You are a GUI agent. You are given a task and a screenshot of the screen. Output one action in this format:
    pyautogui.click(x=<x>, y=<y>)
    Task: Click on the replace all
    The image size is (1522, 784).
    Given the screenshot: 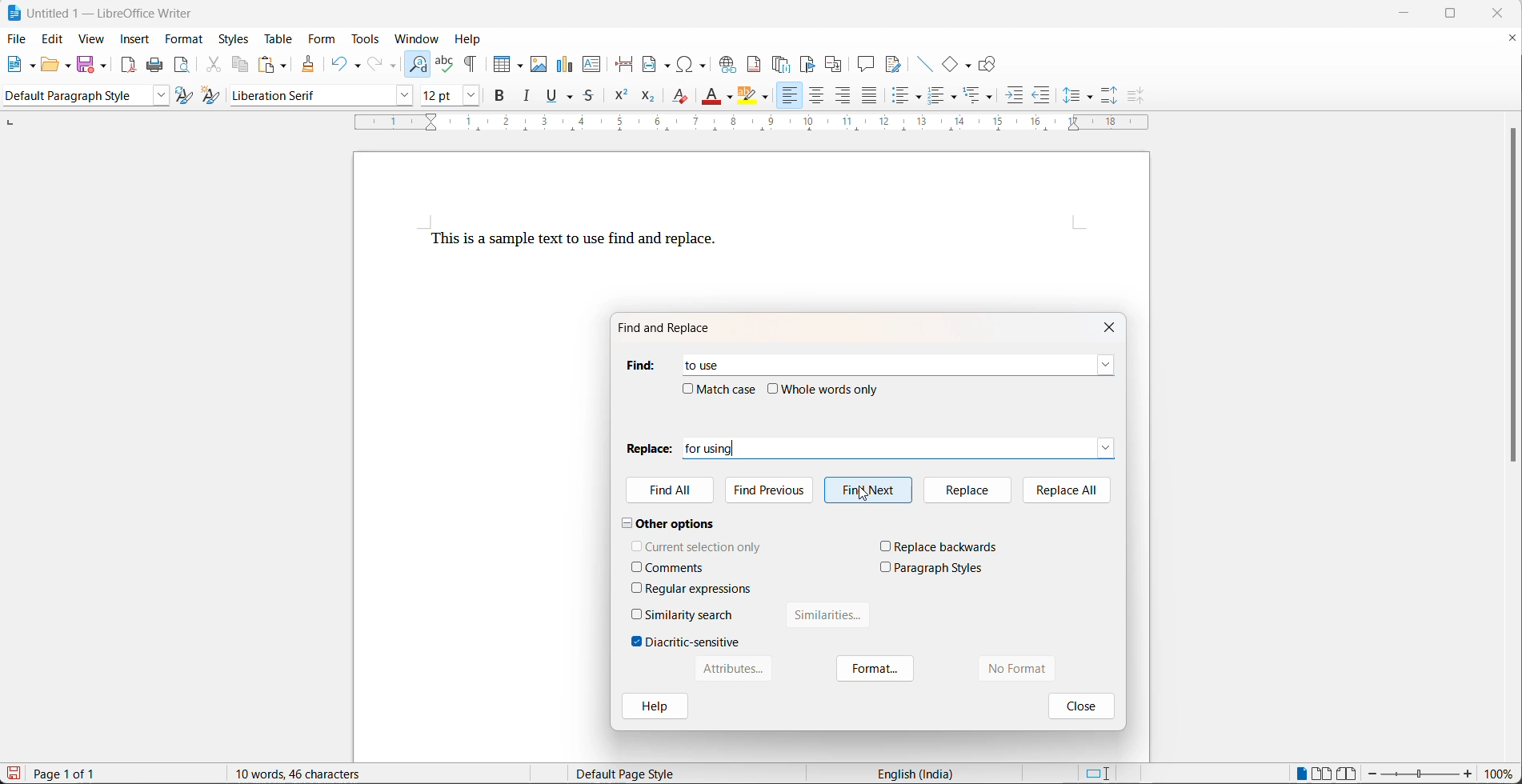 What is the action you would take?
    pyautogui.click(x=1067, y=489)
    